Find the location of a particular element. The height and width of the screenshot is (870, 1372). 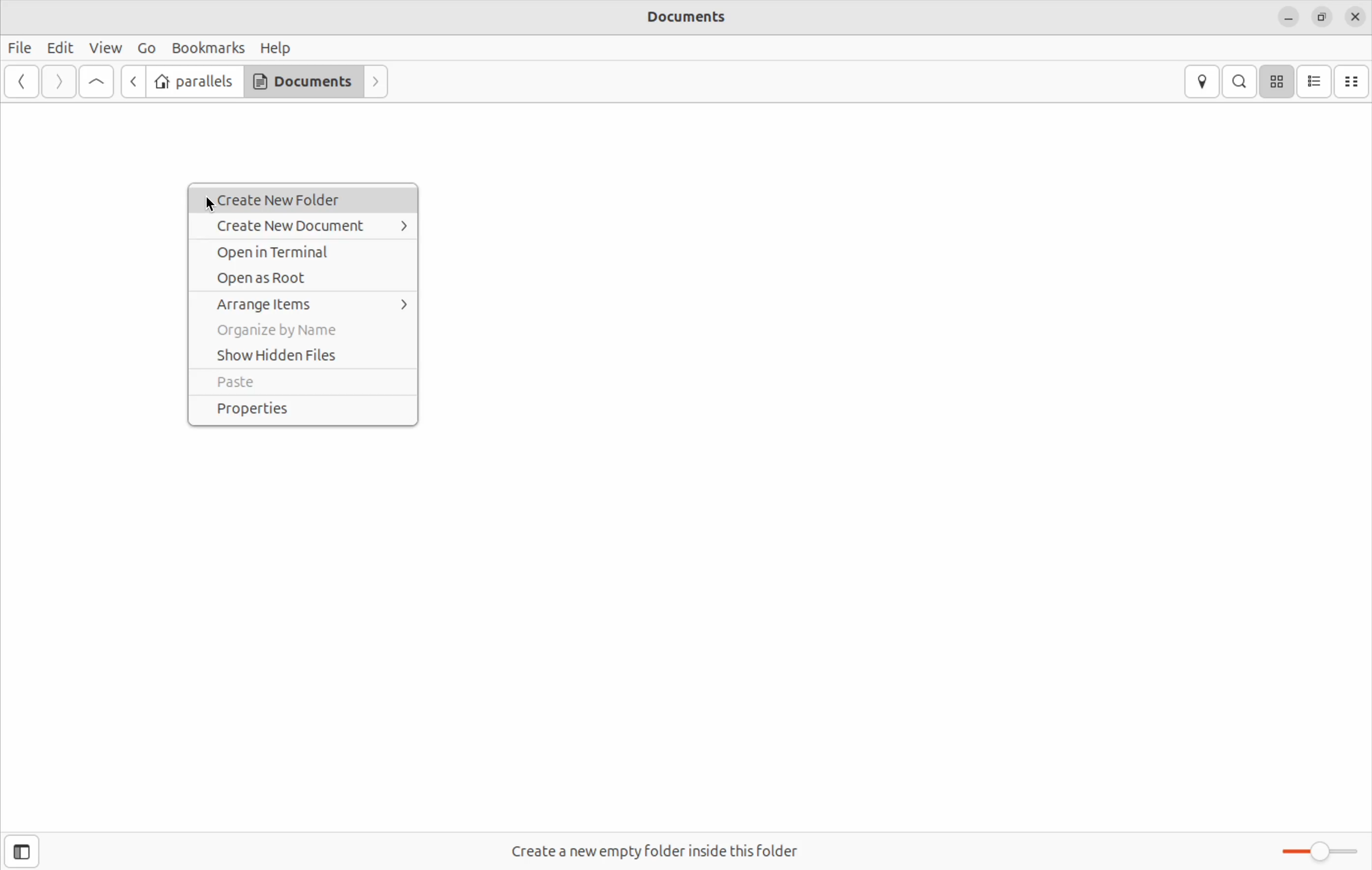

Create New Folder is located at coordinates (300, 199).